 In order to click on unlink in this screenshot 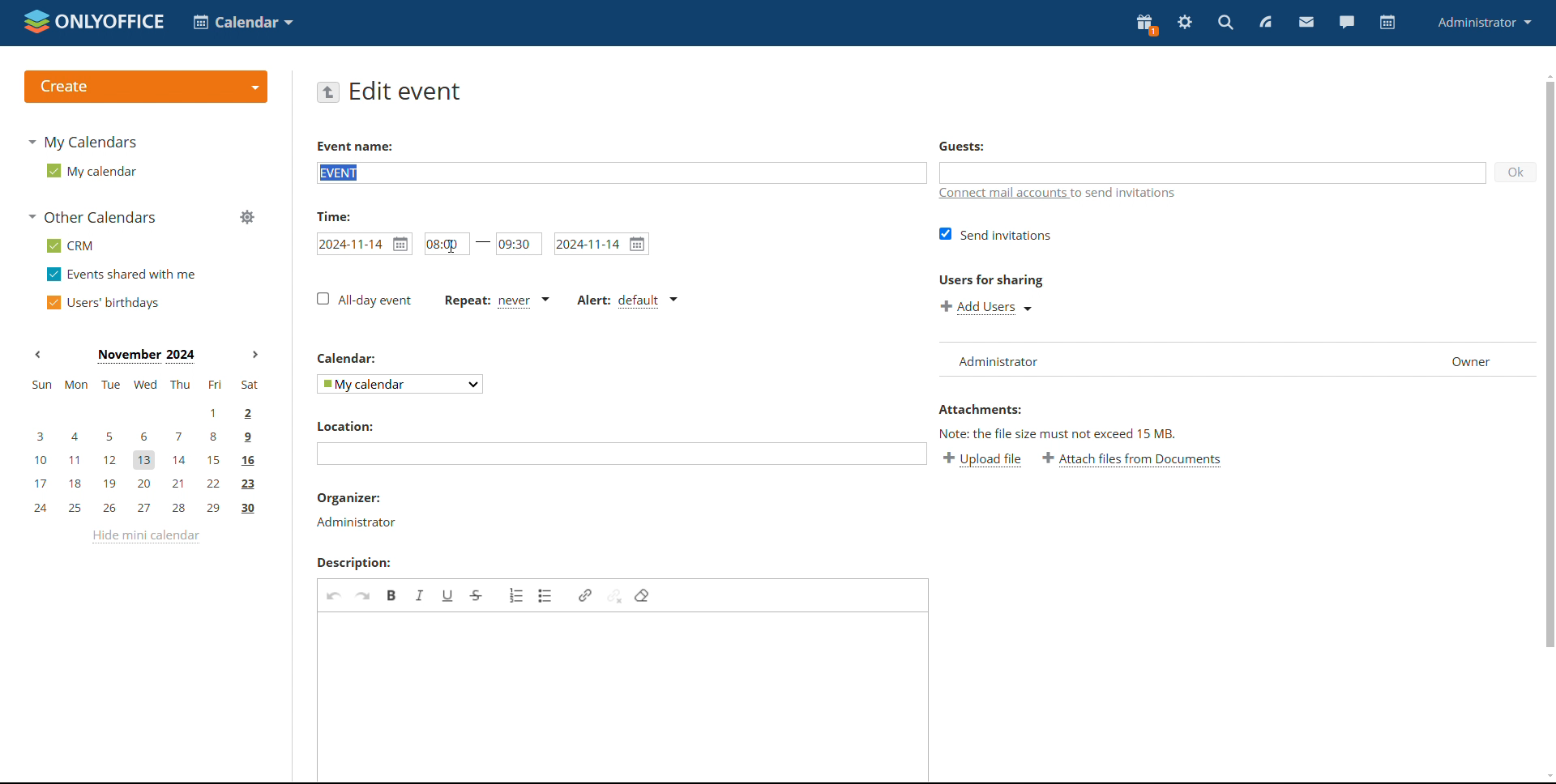, I will do `click(613, 594)`.